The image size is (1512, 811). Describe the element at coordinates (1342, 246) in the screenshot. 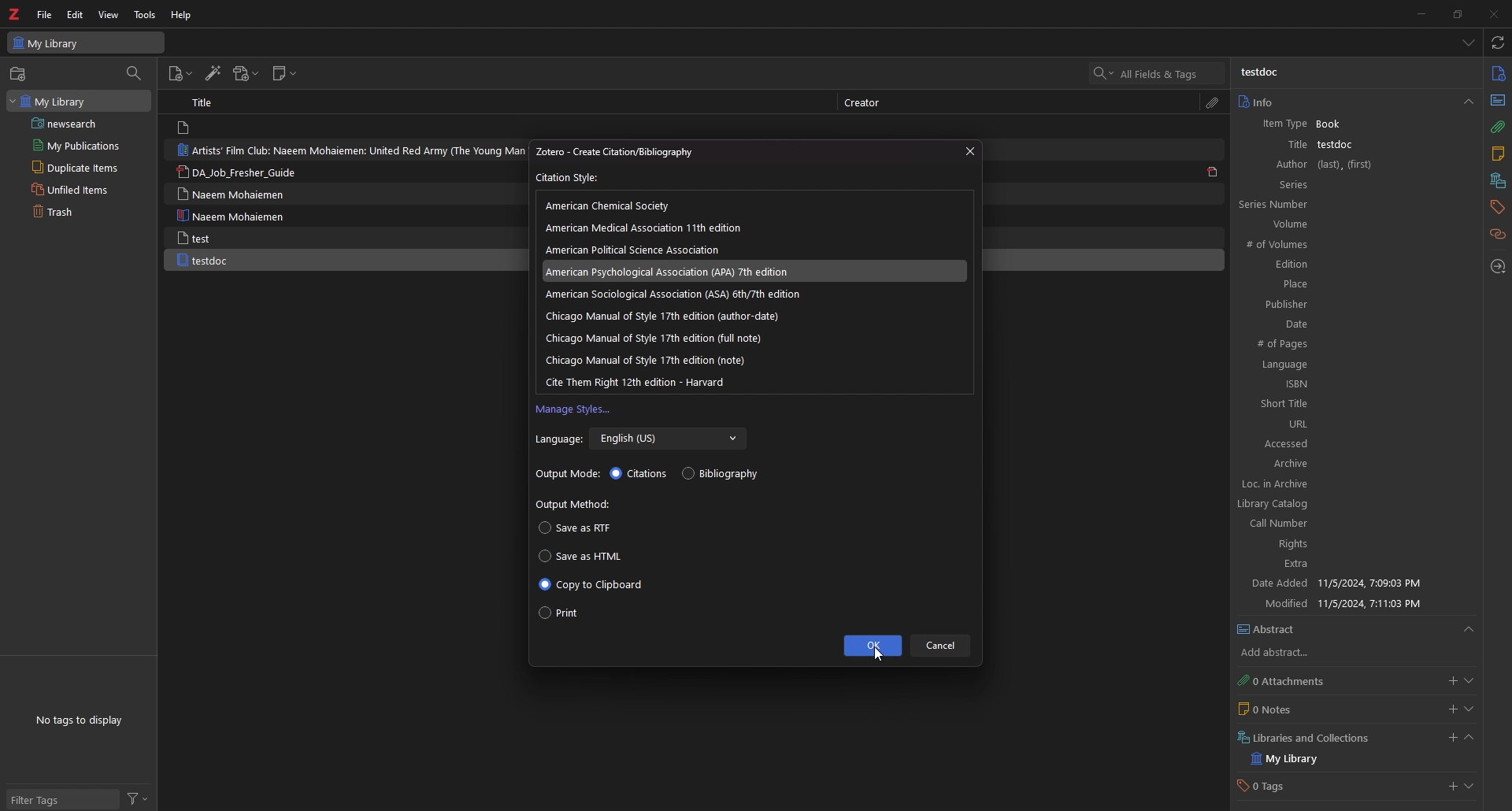

I see `# of Volumes` at that location.